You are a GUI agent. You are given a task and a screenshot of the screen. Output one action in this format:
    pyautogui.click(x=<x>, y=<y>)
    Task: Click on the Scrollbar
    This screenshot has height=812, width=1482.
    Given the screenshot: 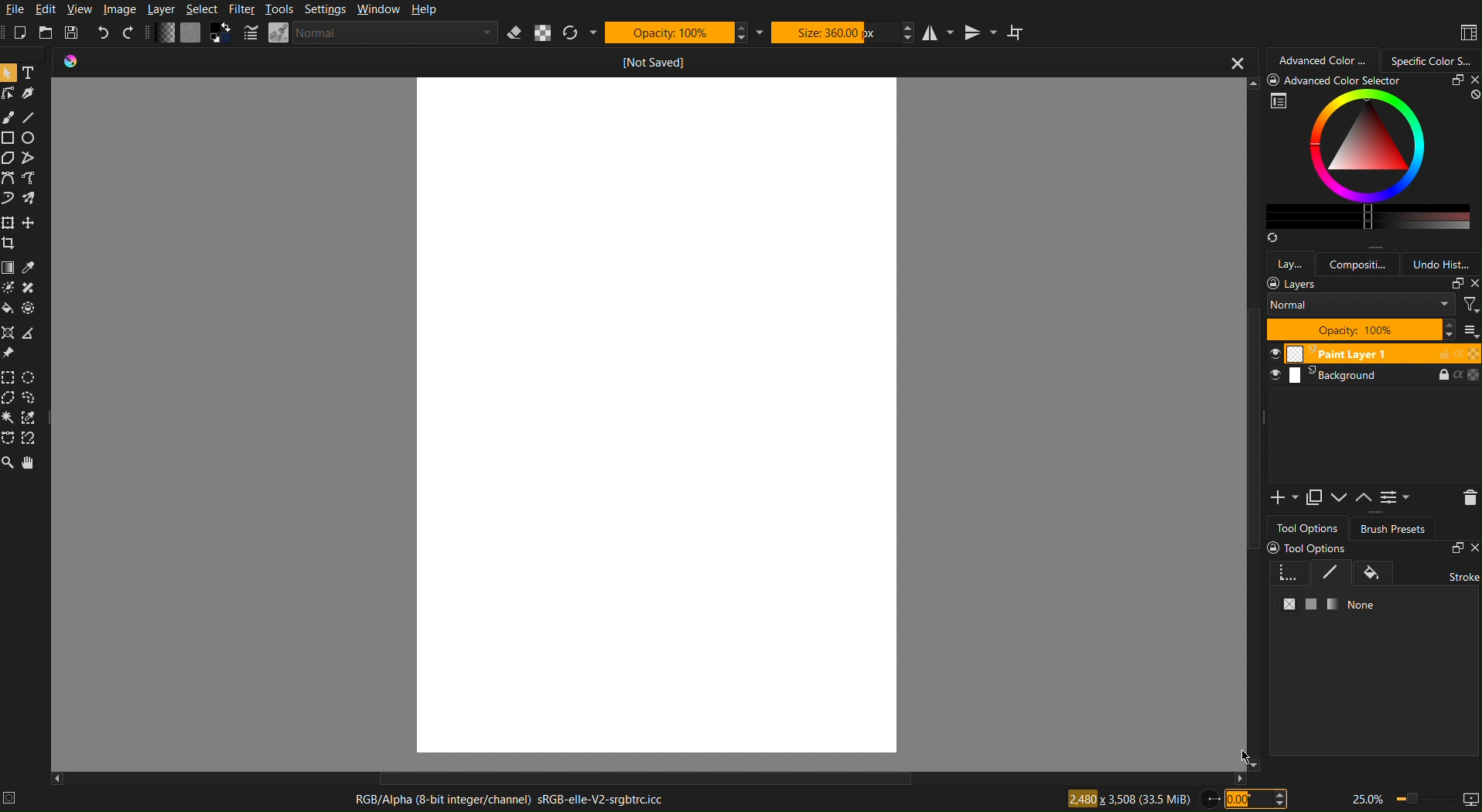 What is the action you would take?
    pyautogui.click(x=1251, y=423)
    